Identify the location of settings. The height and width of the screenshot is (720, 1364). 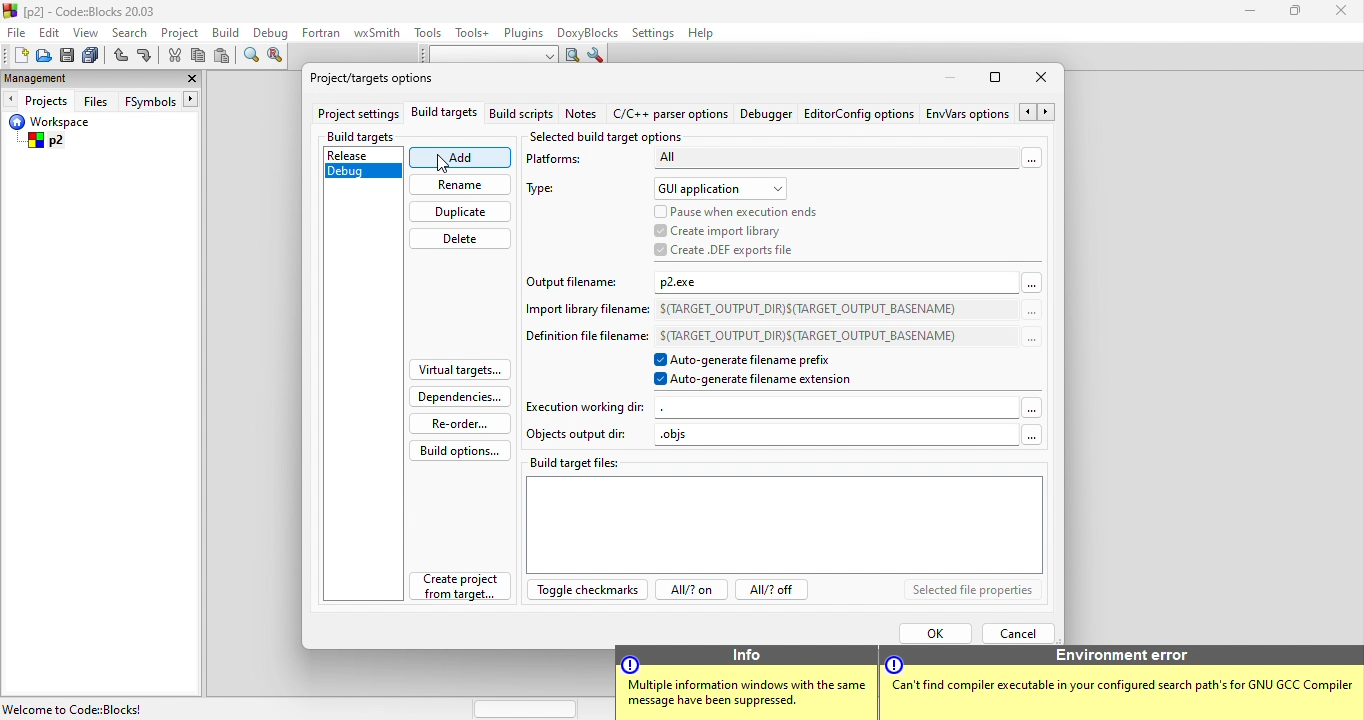
(652, 34).